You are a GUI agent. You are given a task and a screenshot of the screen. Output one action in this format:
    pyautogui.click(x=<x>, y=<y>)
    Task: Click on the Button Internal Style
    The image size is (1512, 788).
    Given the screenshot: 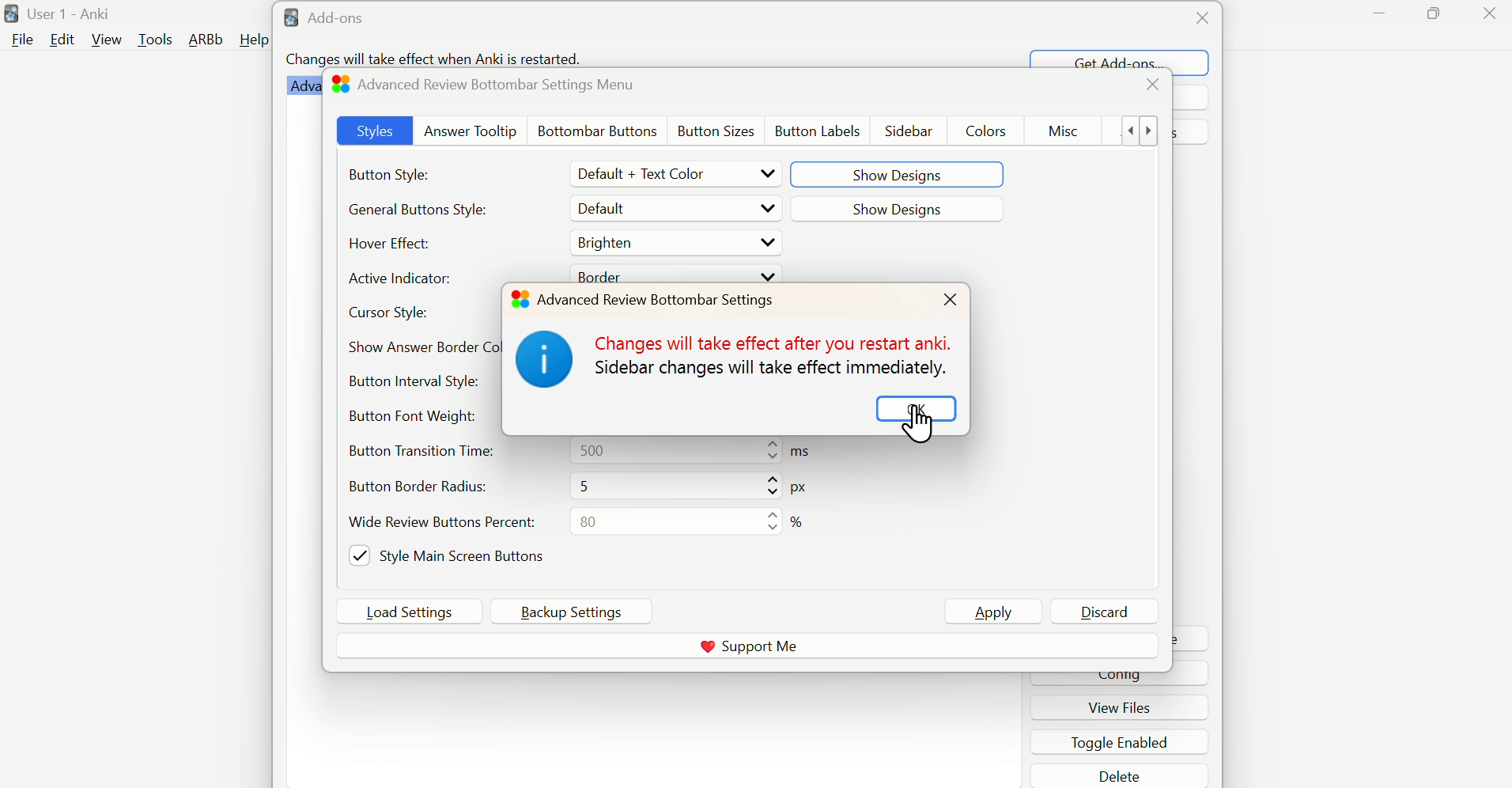 What is the action you would take?
    pyautogui.click(x=427, y=381)
    